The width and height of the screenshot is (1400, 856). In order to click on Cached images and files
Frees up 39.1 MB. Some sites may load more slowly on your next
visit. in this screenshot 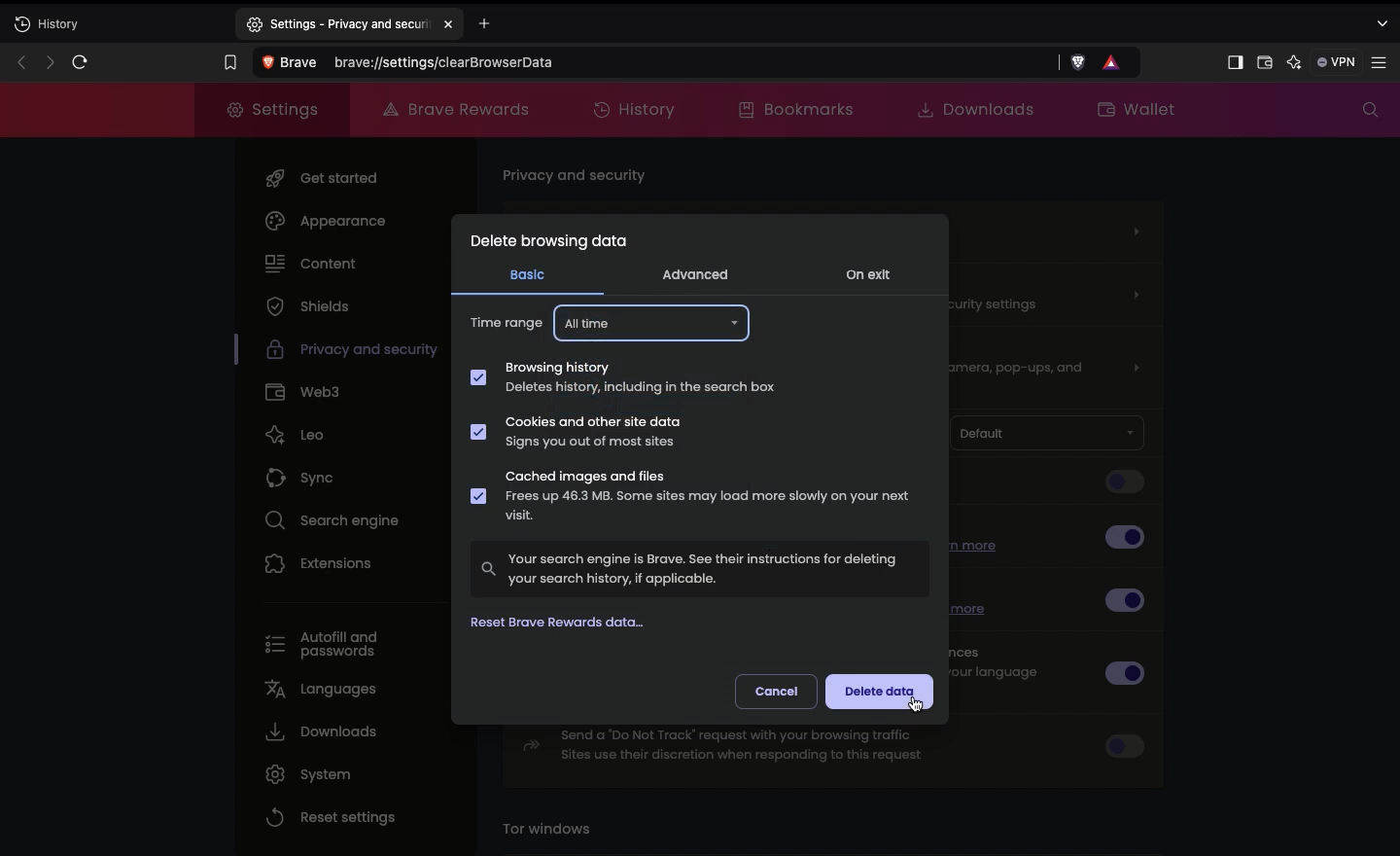, I will do `click(692, 499)`.